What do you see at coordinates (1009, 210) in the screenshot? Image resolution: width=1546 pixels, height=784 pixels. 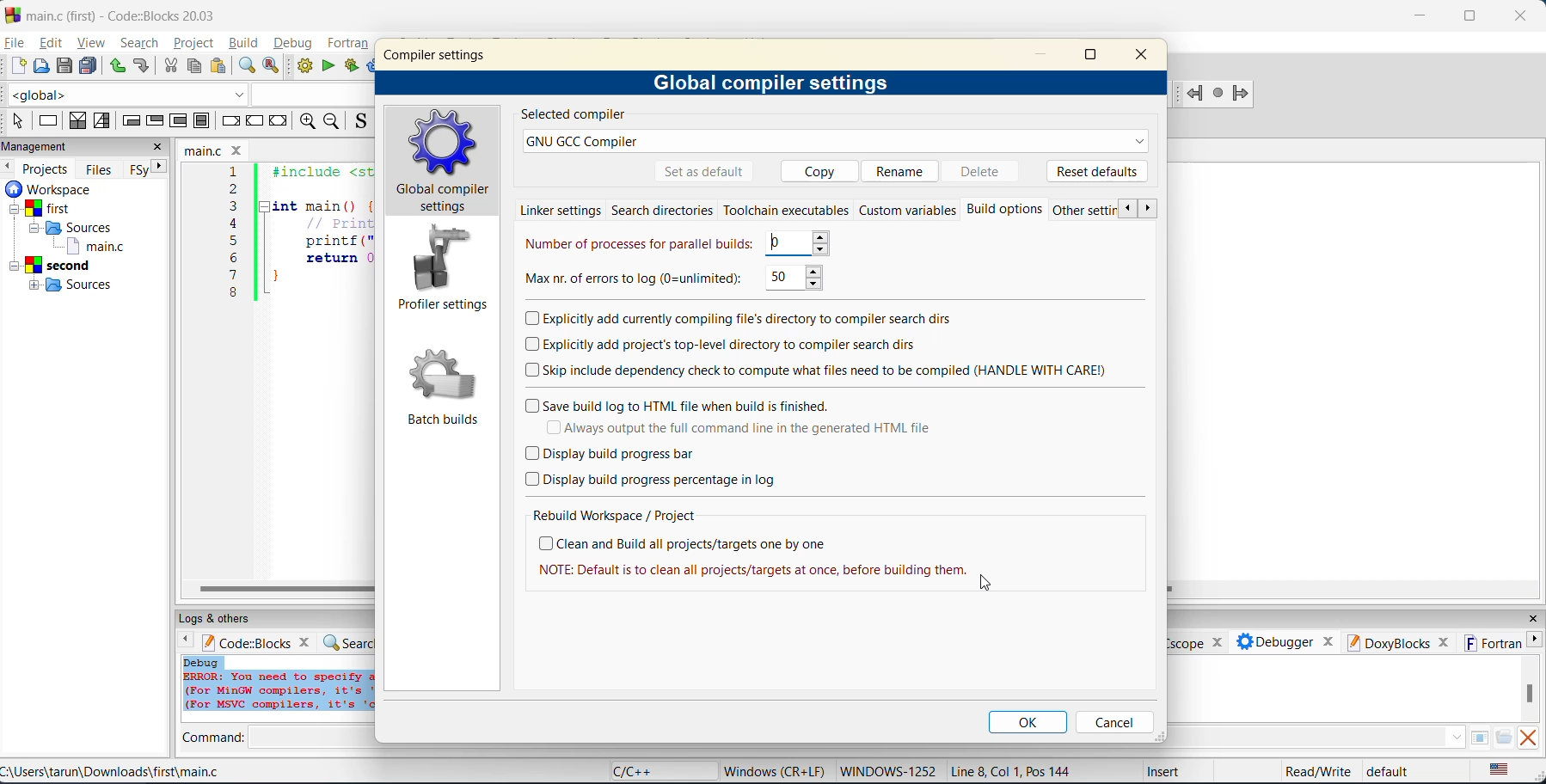 I see `build options` at bounding box center [1009, 210].